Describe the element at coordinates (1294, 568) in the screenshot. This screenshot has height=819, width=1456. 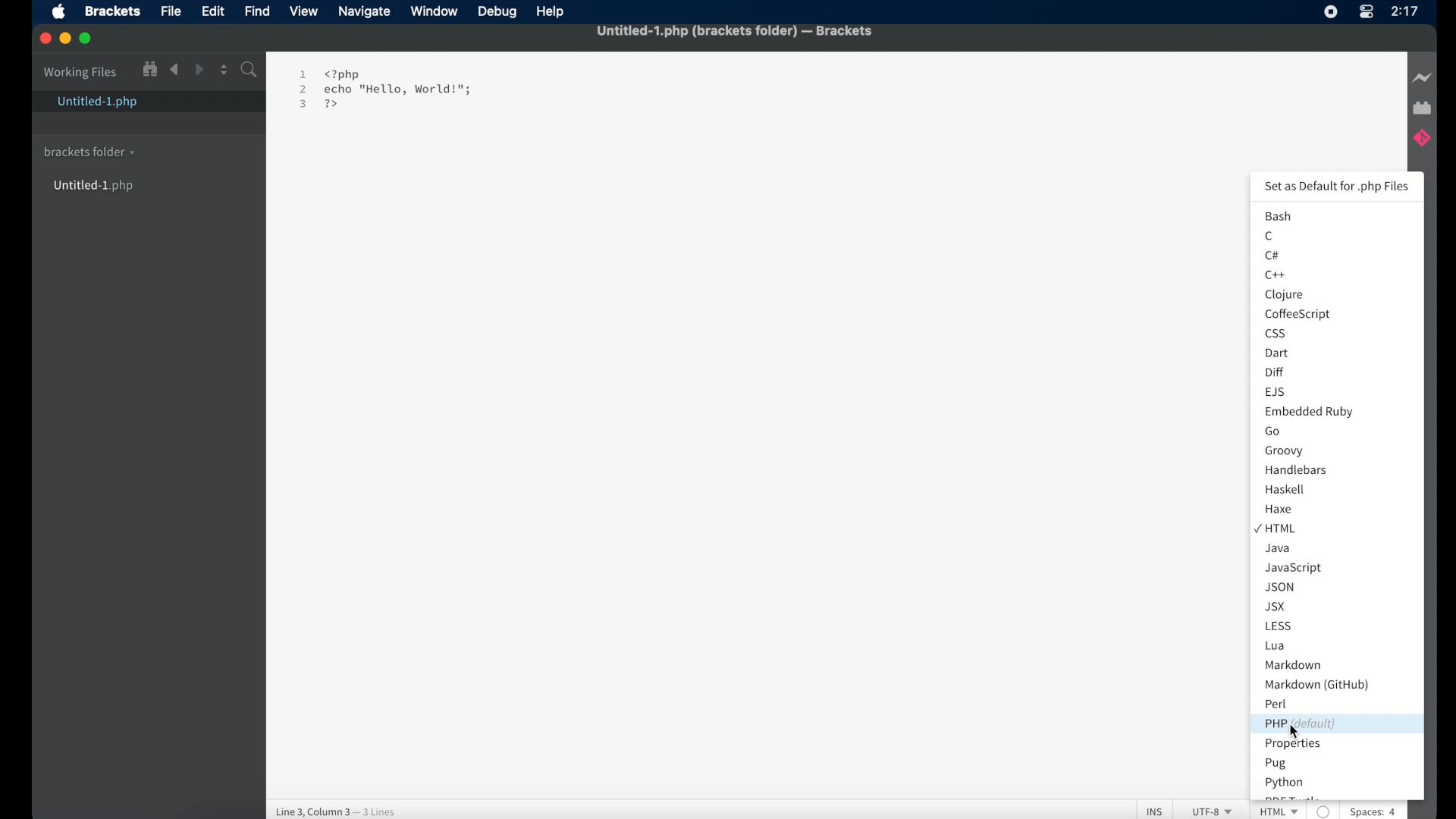
I see `javascript` at that location.